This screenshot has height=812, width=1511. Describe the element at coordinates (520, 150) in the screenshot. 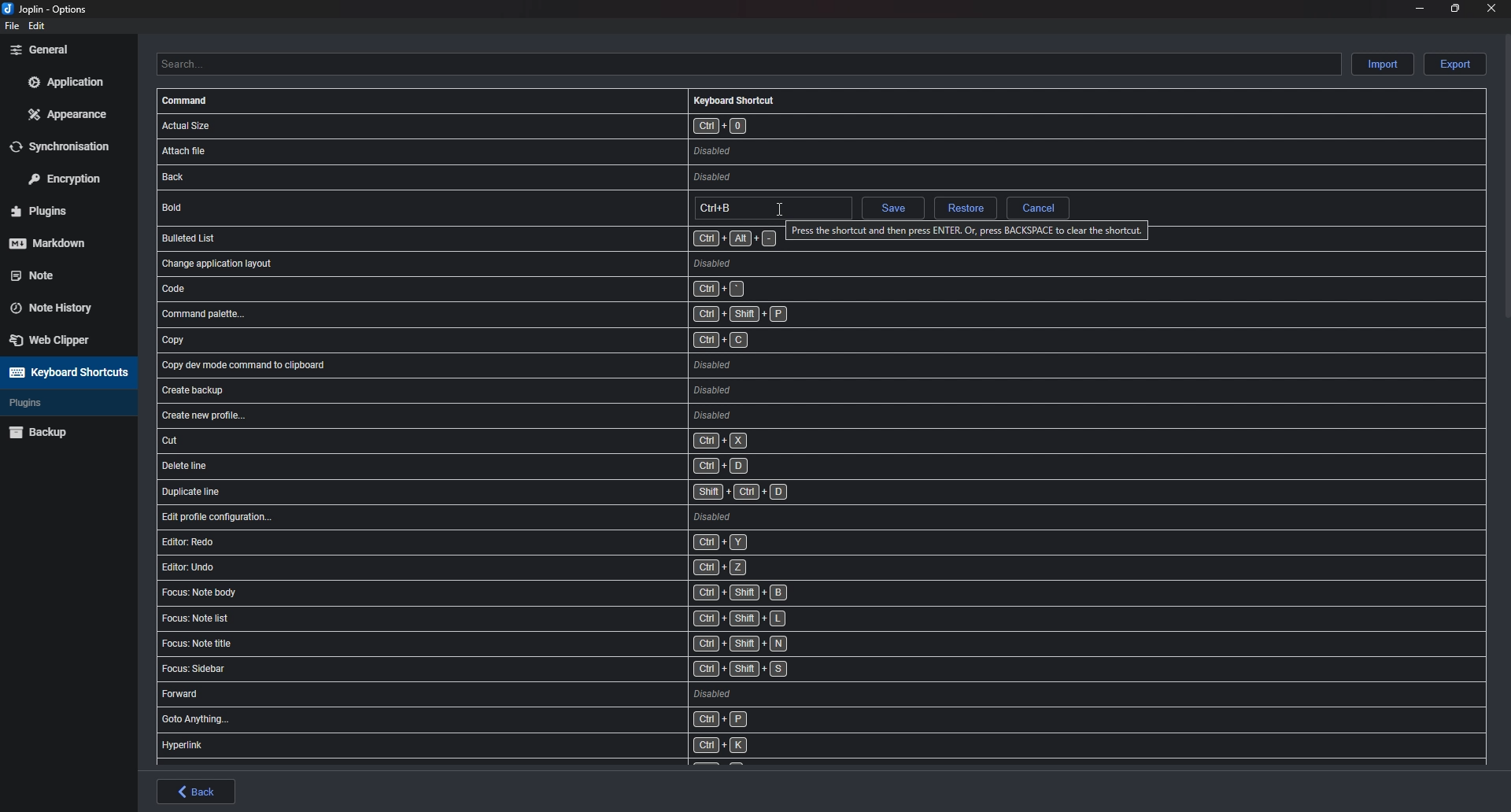

I see `shortcut` at that location.